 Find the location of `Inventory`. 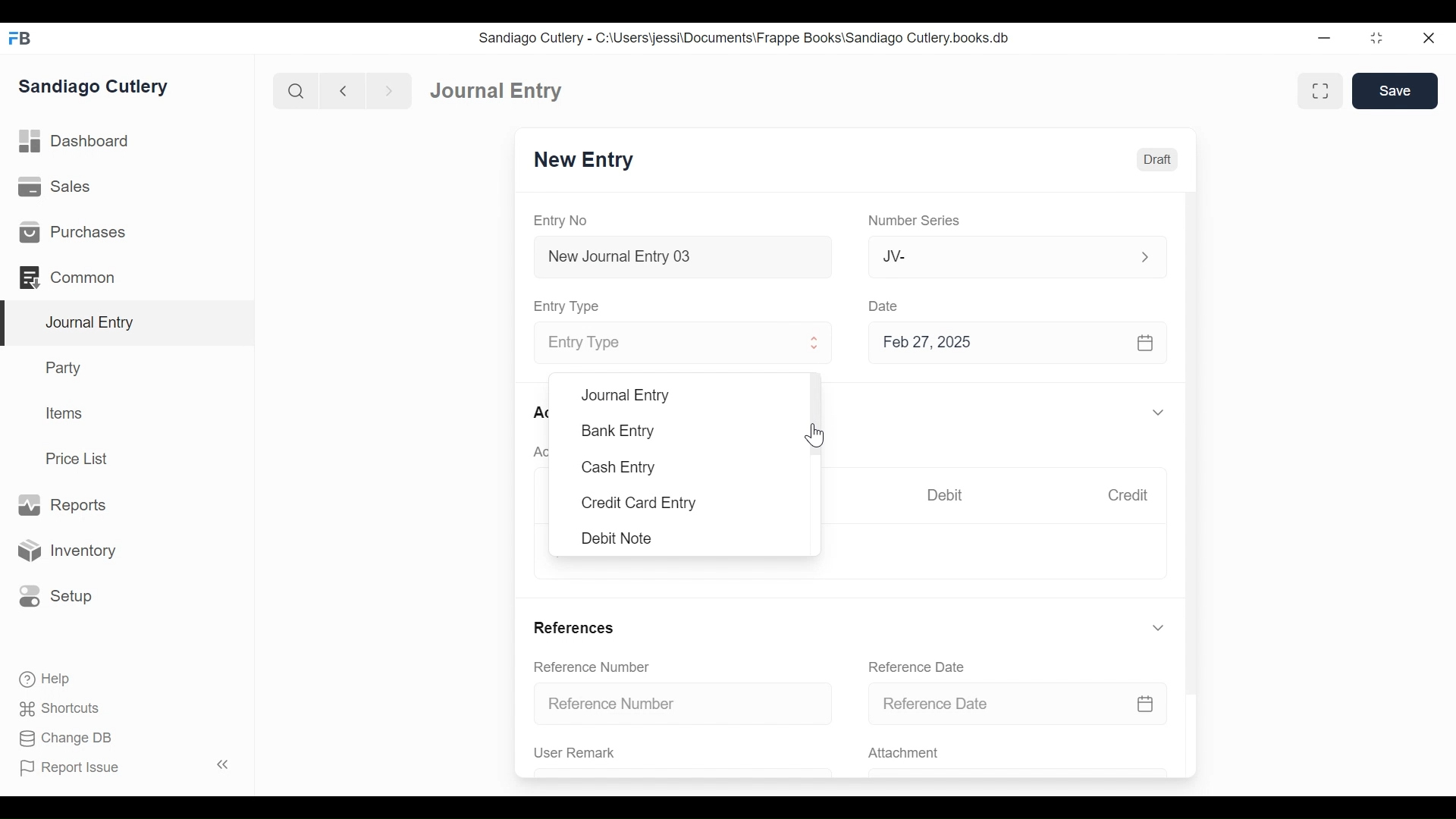

Inventory is located at coordinates (65, 550).